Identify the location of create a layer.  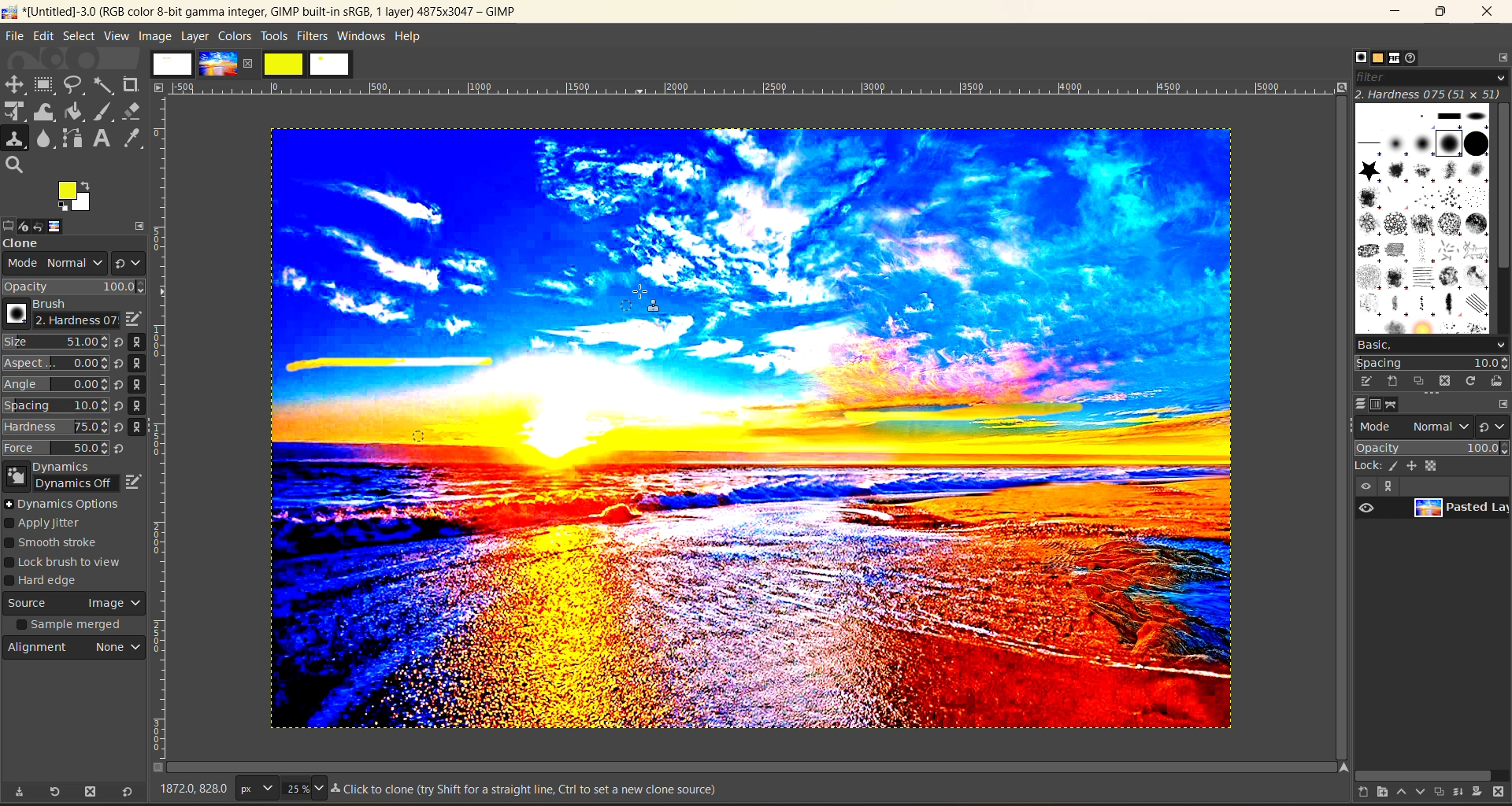
(1436, 793).